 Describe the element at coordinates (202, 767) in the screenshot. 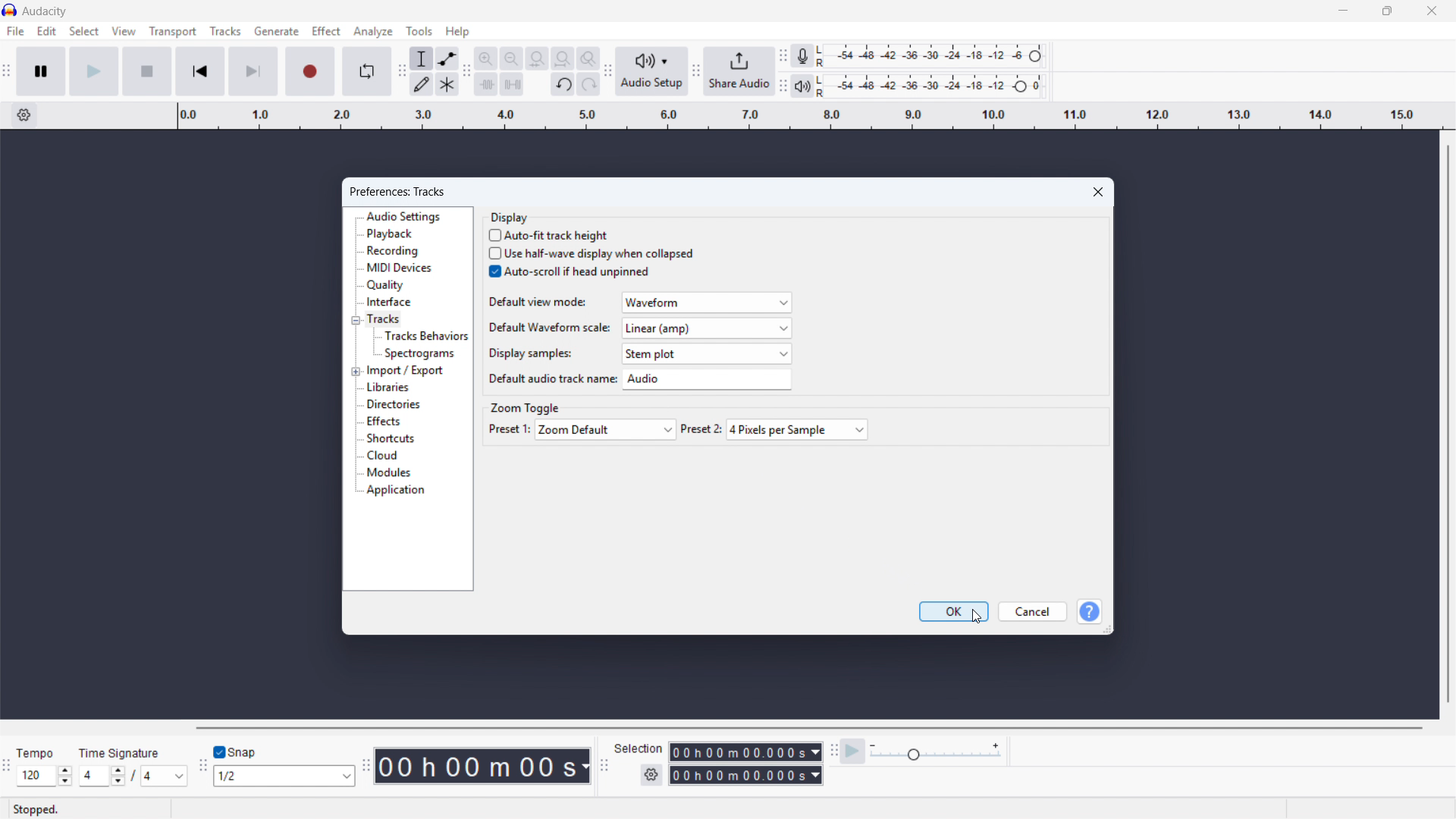

I see `snapping toolbar` at that location.